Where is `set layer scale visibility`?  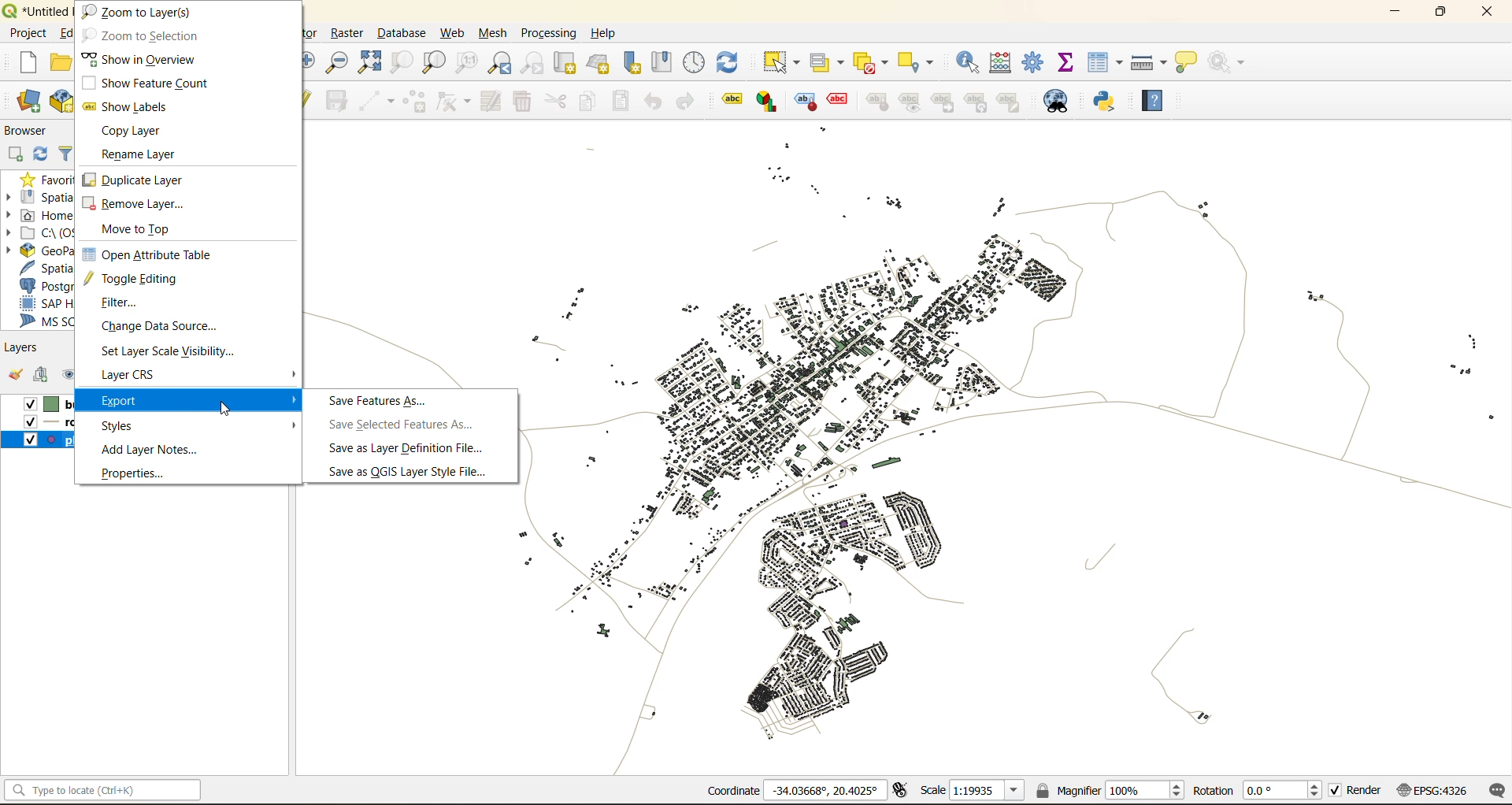
set layer scale visibility is located at coordinates (167, 352).